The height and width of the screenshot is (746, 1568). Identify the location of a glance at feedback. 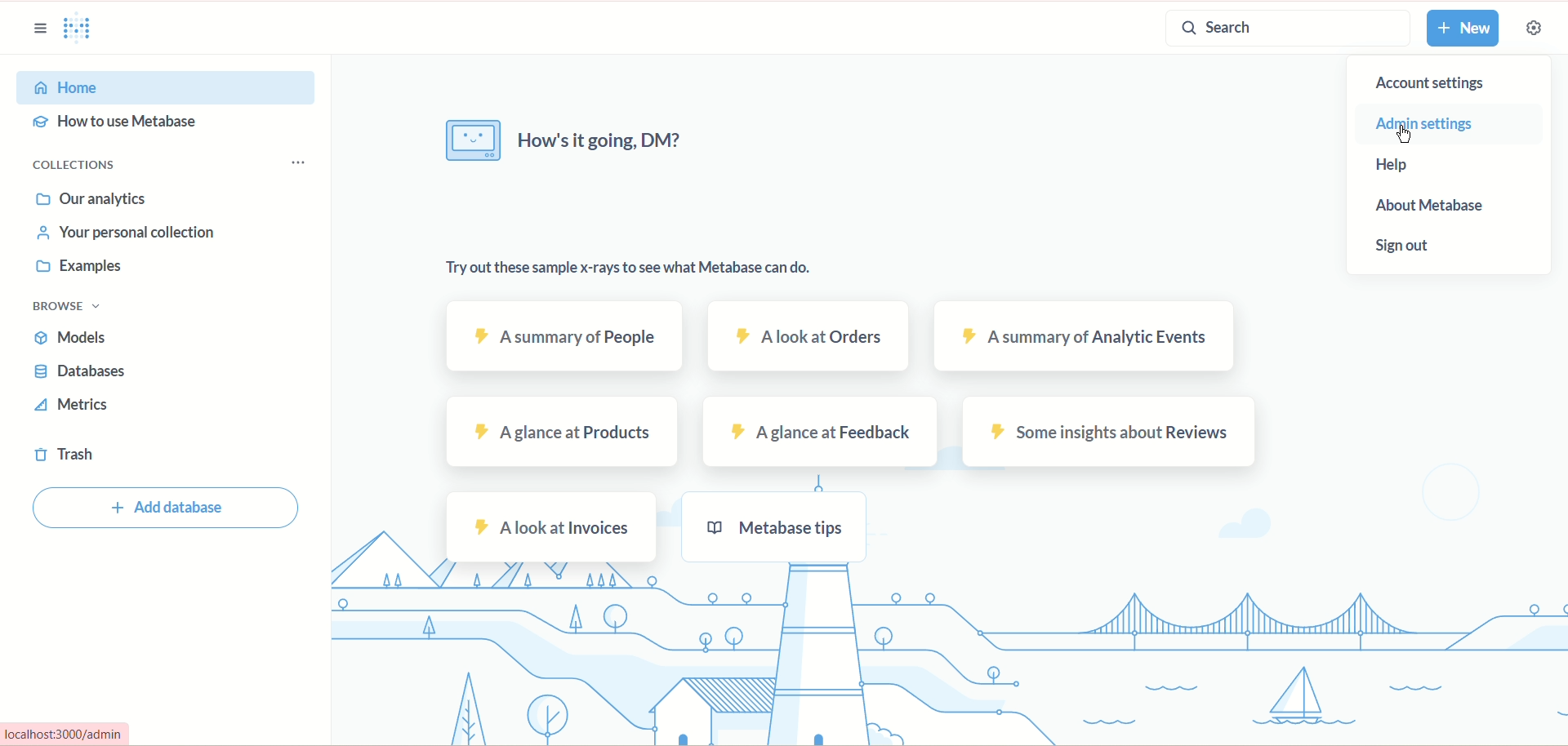
(822, 435).